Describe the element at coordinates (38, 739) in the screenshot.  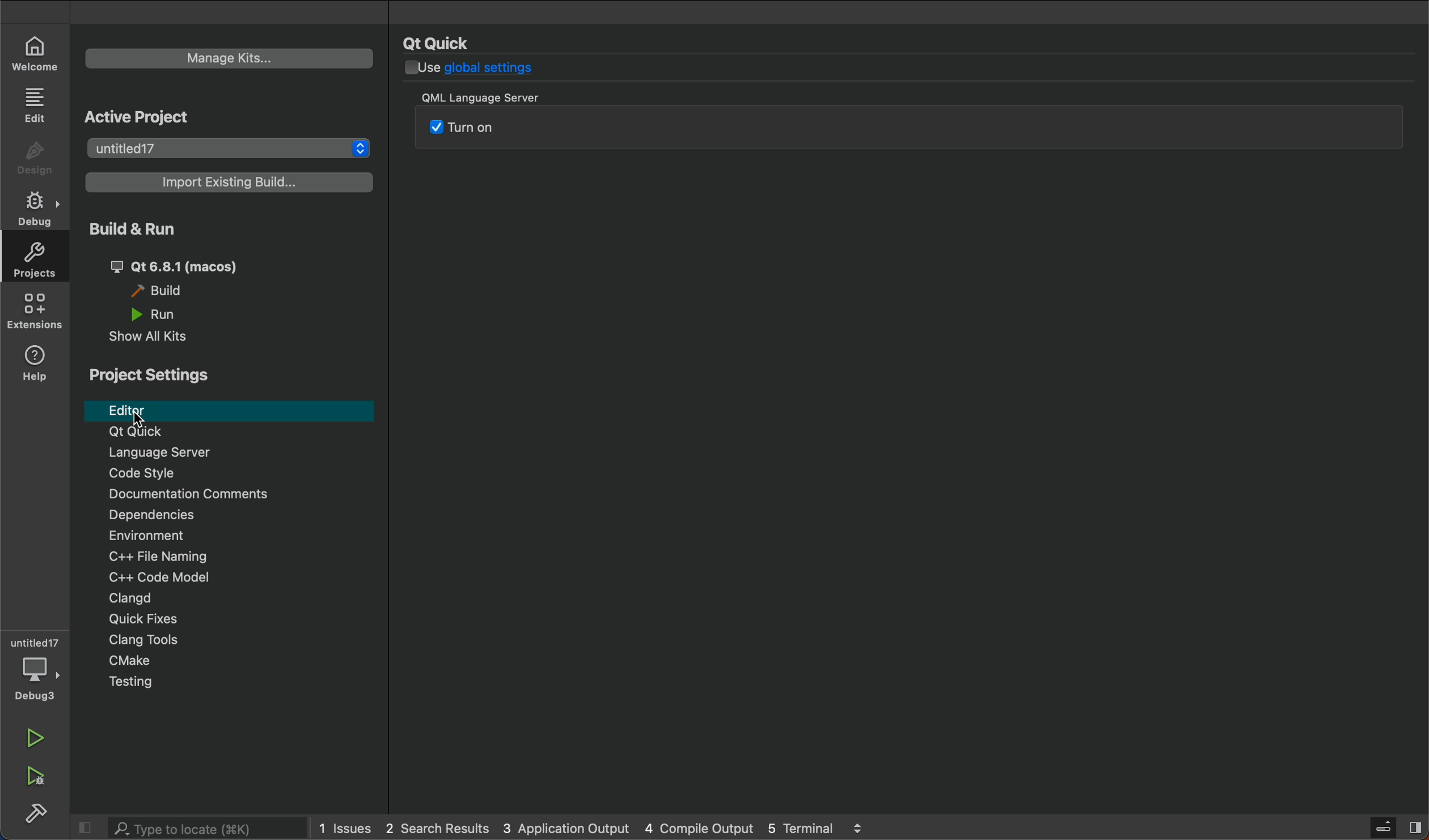
I see `run` at that location.